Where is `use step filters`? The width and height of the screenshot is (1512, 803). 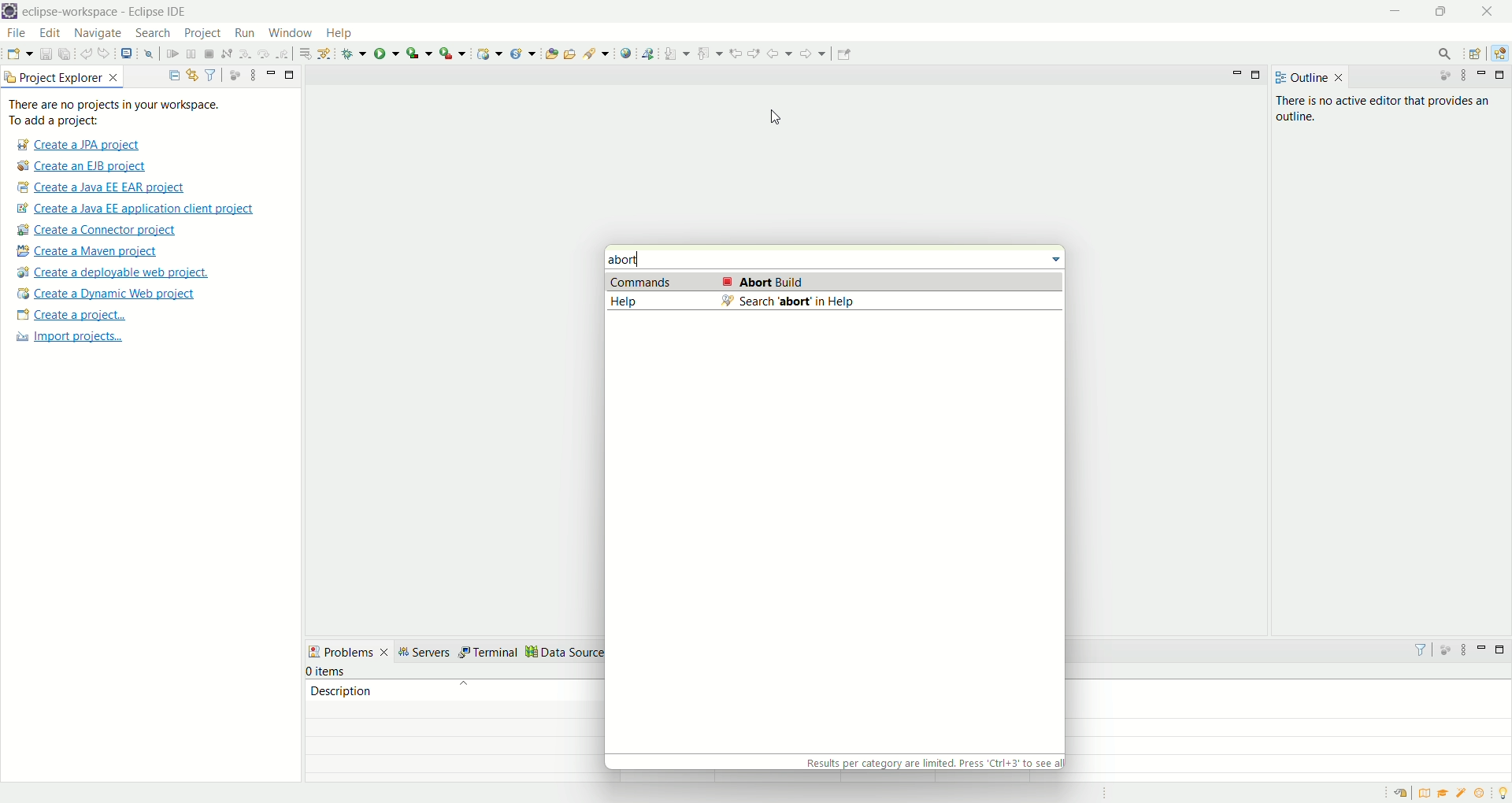
use step filters is located at coordinates (324, 53).